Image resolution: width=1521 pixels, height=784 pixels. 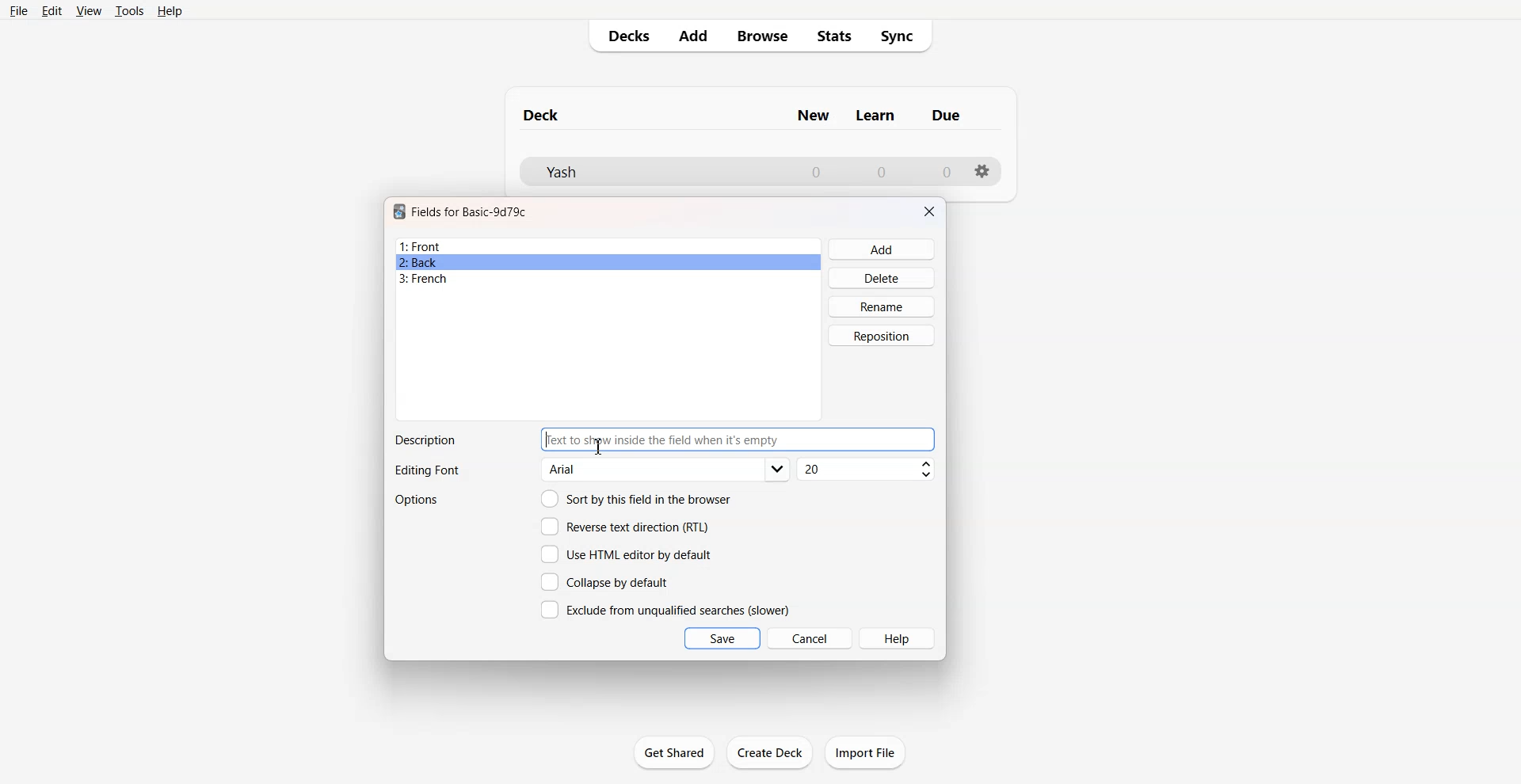 I want to click on Collapse by default, so click(x=608, y=581).